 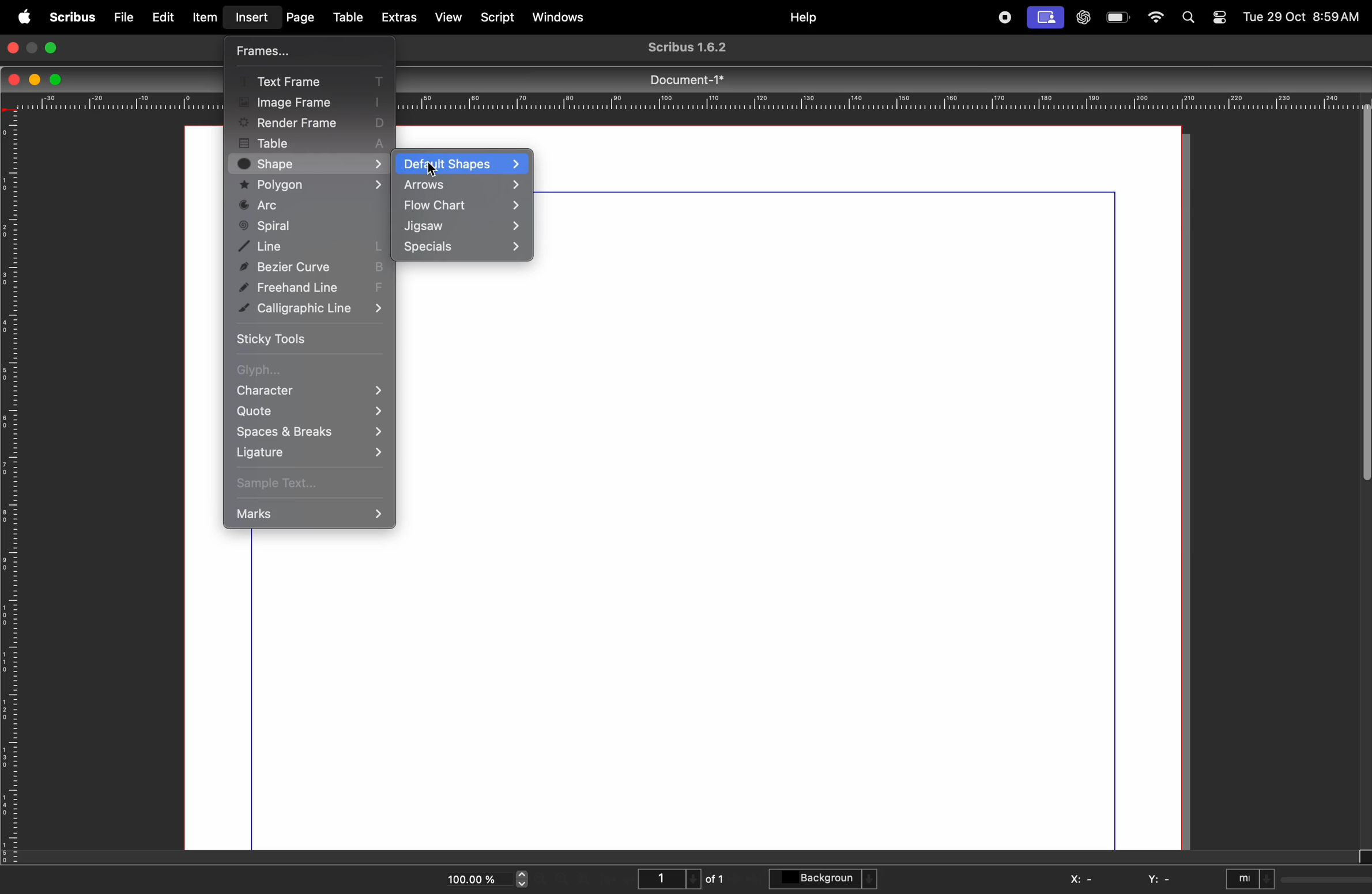 I want to click on closing window, so click(x=13, y=47).